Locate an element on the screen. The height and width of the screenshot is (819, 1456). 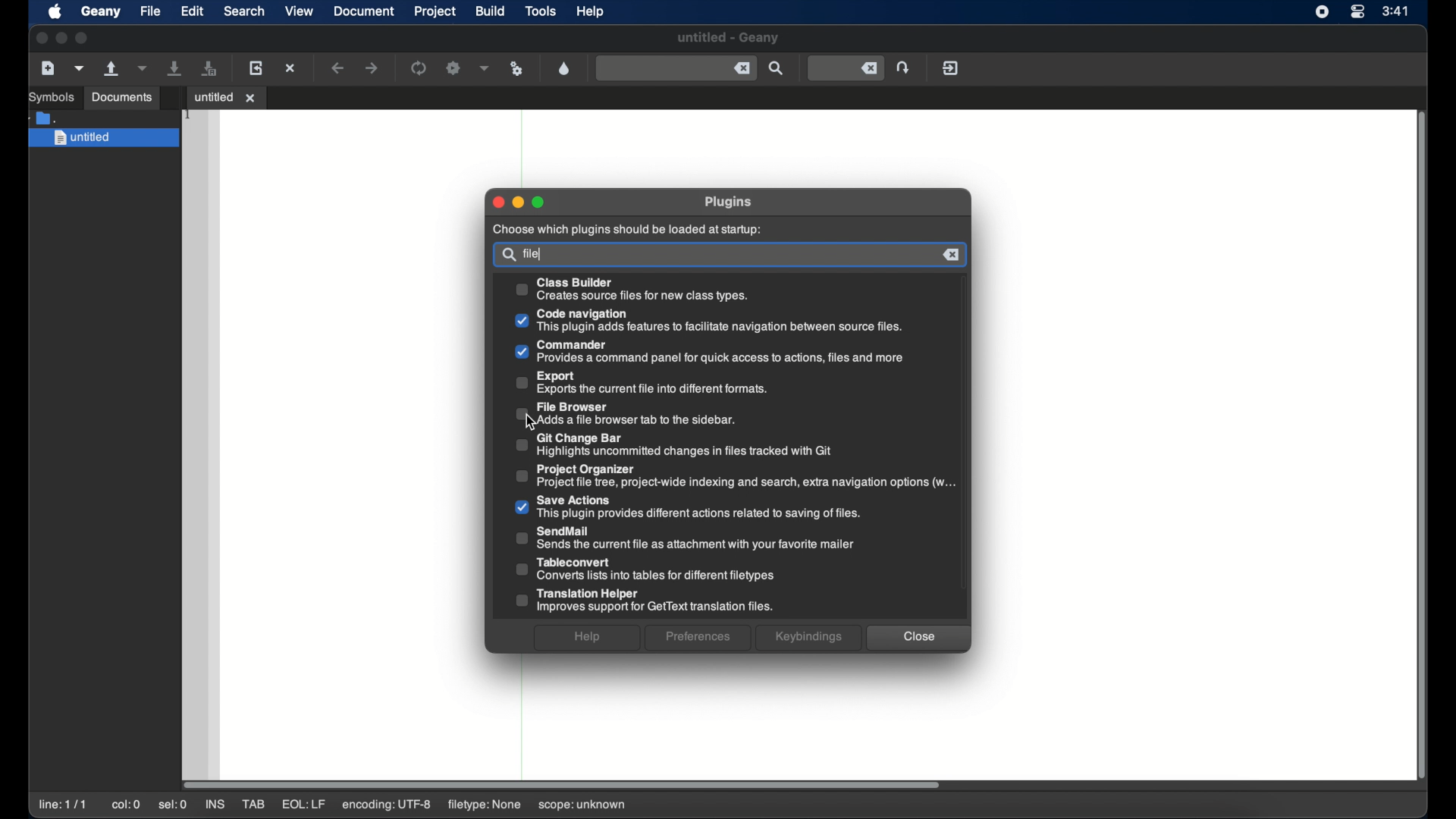
close is located at coordinates (40, 39).